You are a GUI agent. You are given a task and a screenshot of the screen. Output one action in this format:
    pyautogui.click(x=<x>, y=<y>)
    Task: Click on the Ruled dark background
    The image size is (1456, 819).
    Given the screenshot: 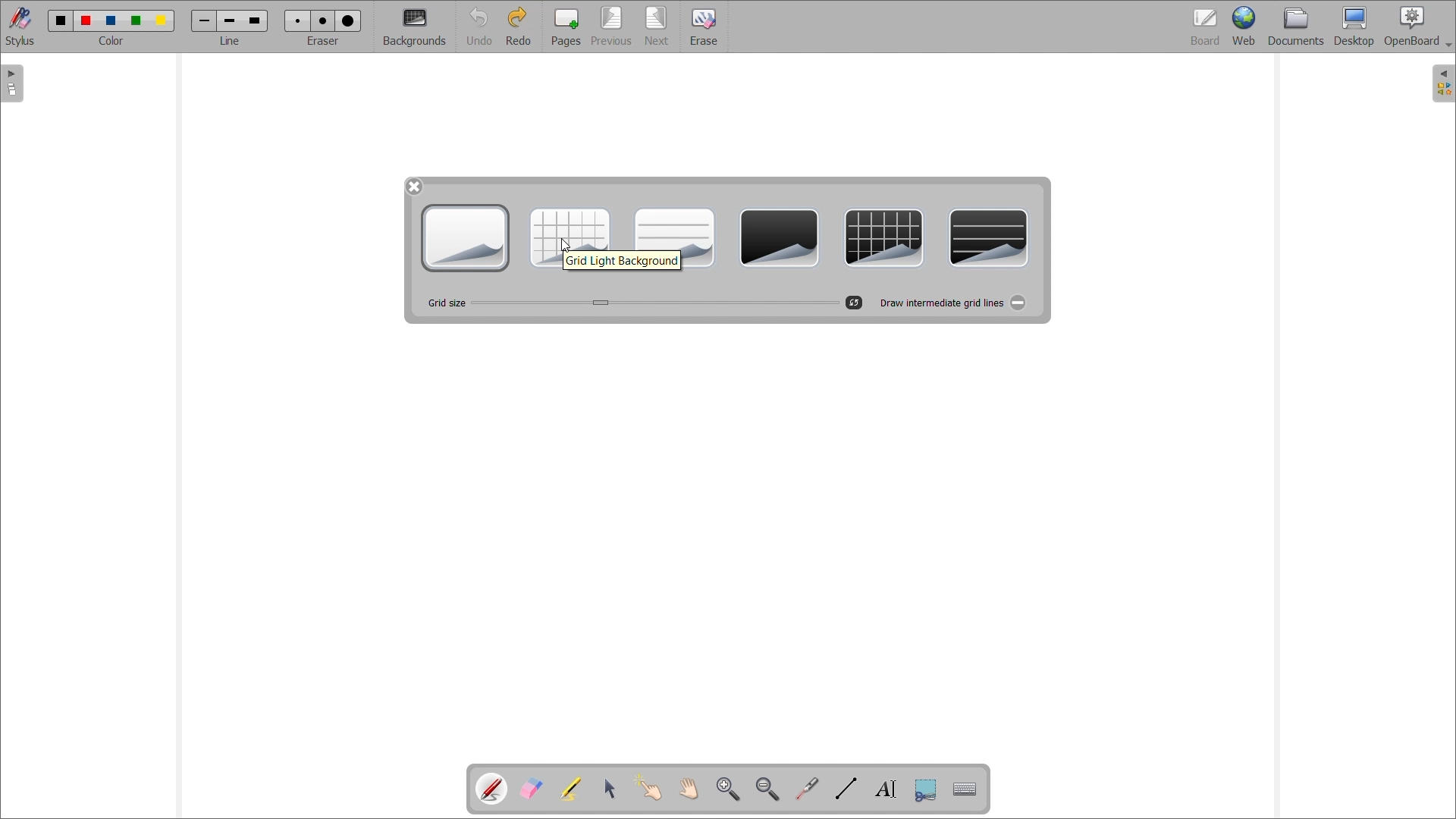 What is the action you would take?
    pyautogui.click(x=990, y=238)
    